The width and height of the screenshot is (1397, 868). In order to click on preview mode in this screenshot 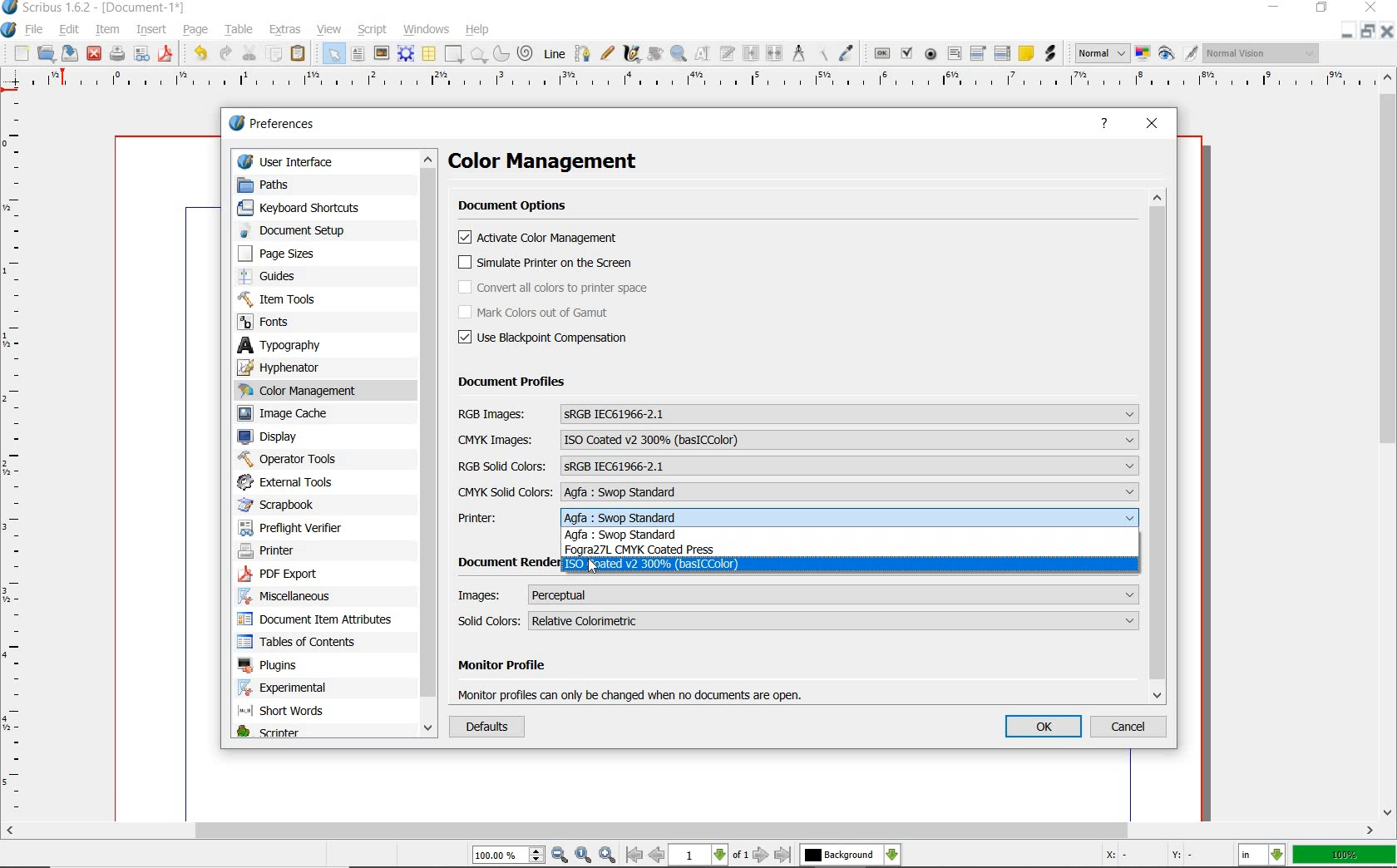, I will do `click(1177, 55)`.